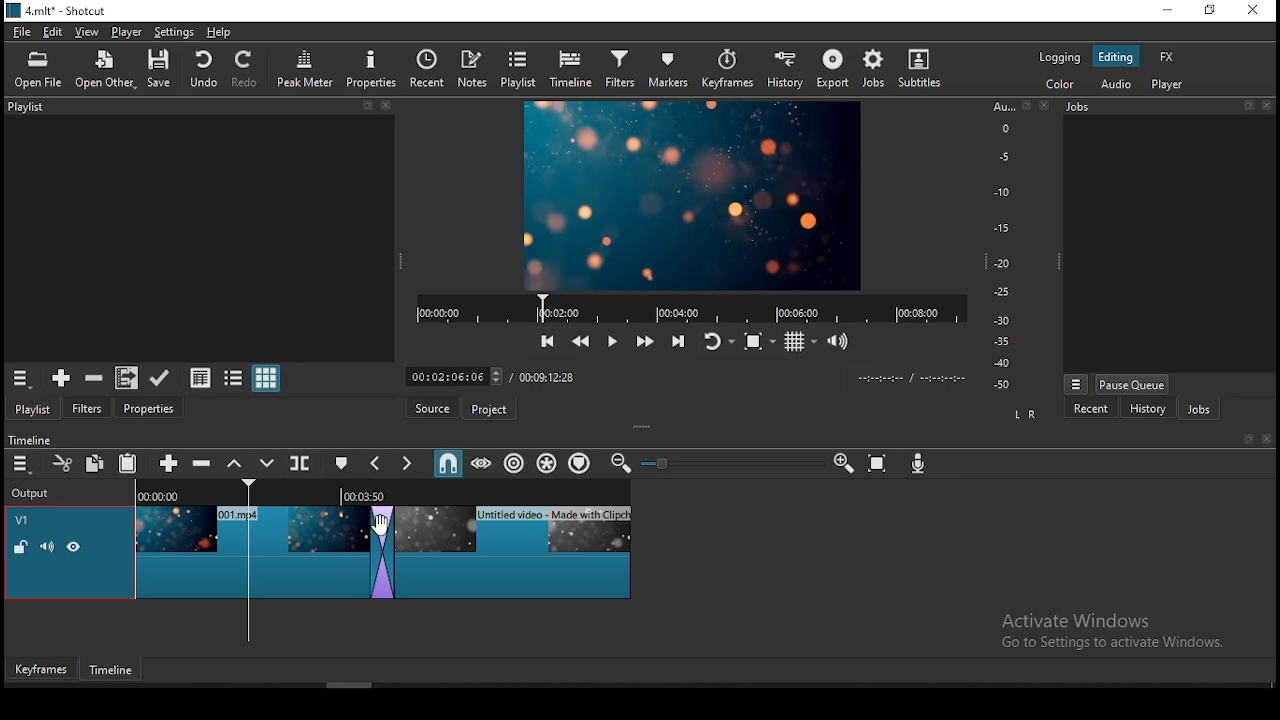 The image size is (1280, 720). I want to click on color, so click(1059, 86).